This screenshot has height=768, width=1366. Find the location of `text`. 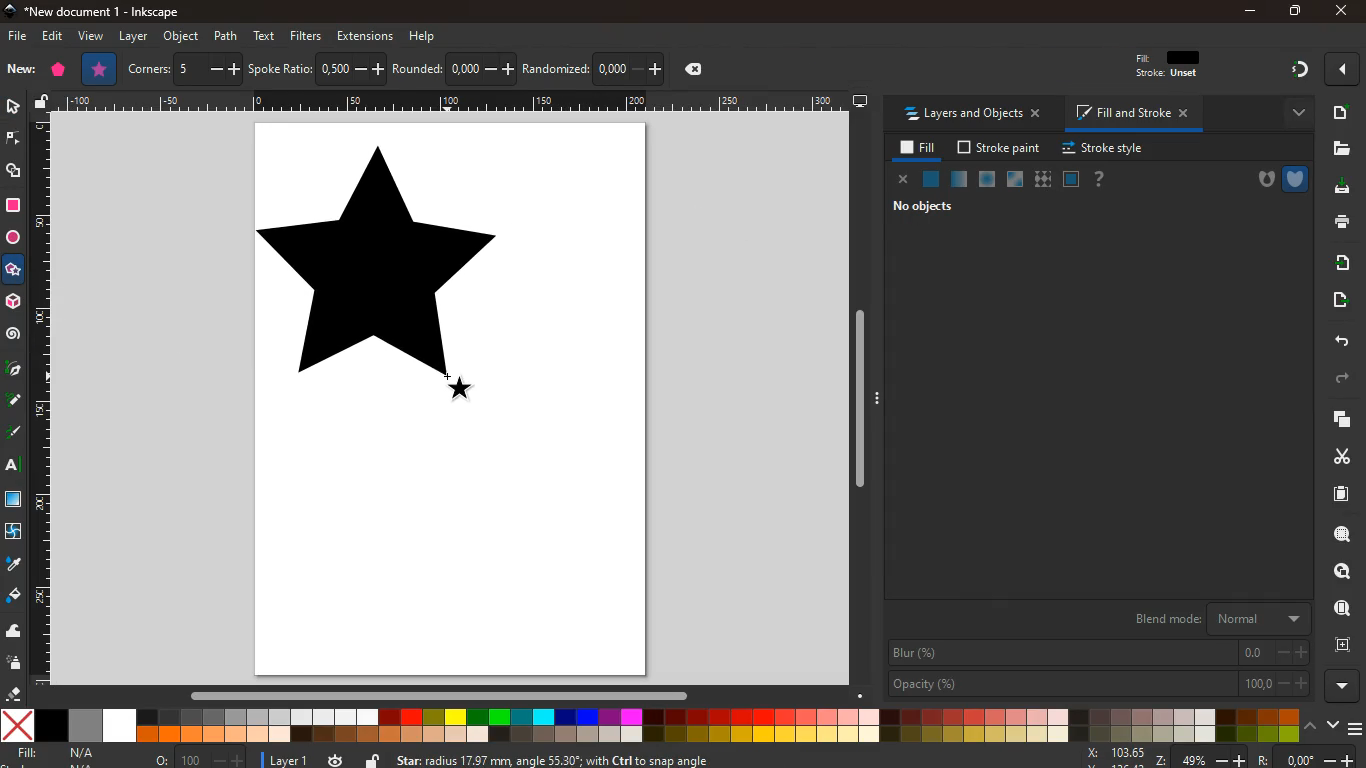

text is located at coordinates (14, 464).